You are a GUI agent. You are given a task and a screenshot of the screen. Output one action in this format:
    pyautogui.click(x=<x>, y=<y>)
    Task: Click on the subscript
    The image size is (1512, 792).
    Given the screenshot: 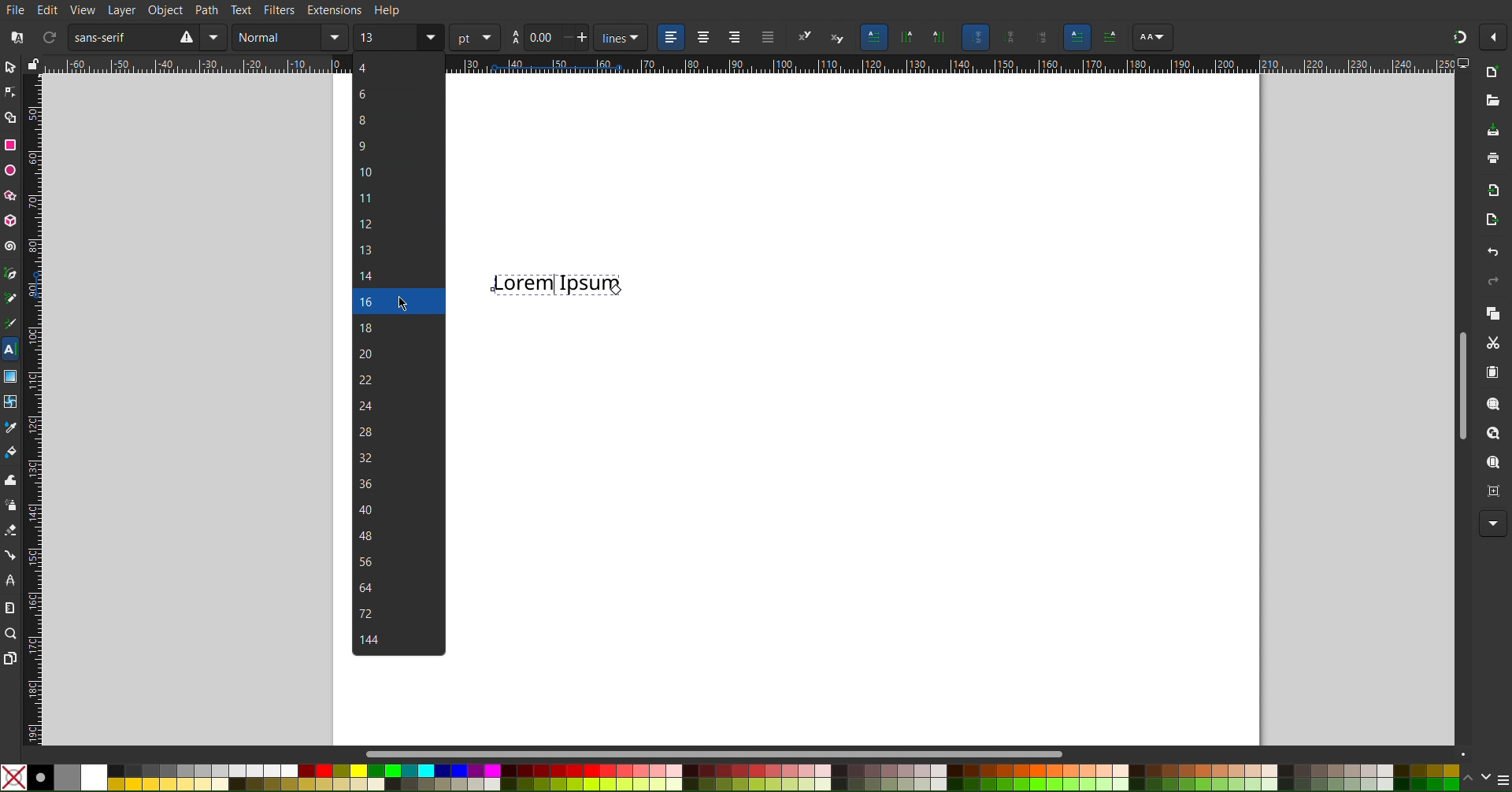 What is the action you would take?
    pyautogui.click(x=837, y=35)
    